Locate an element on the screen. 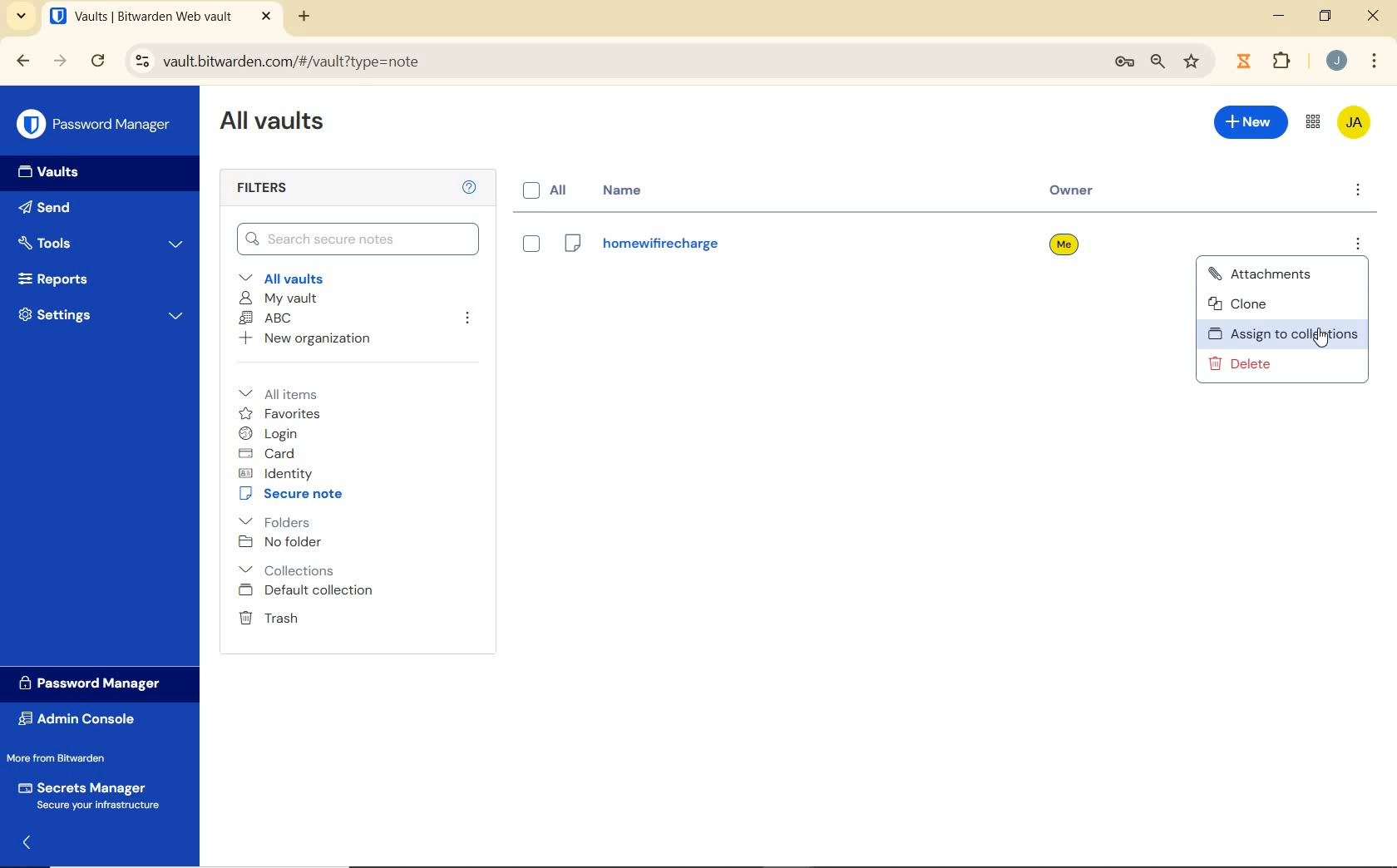  assign to collection is located at coordinates (1282, 331).